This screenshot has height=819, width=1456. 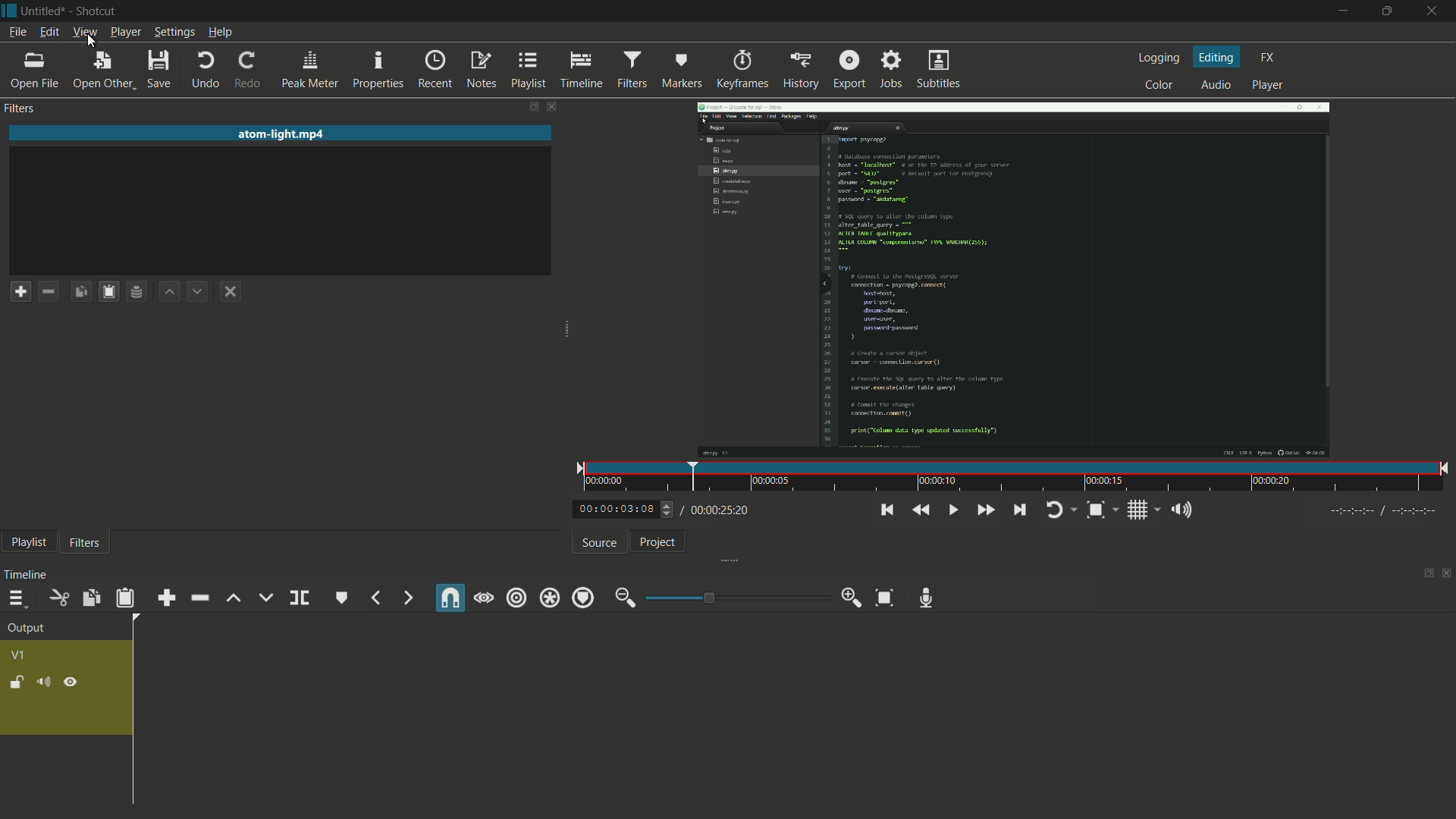 What do you see at coordinates (1266, 58) in the screenshot?
I see `fx` at bounding box center [1266, 58].